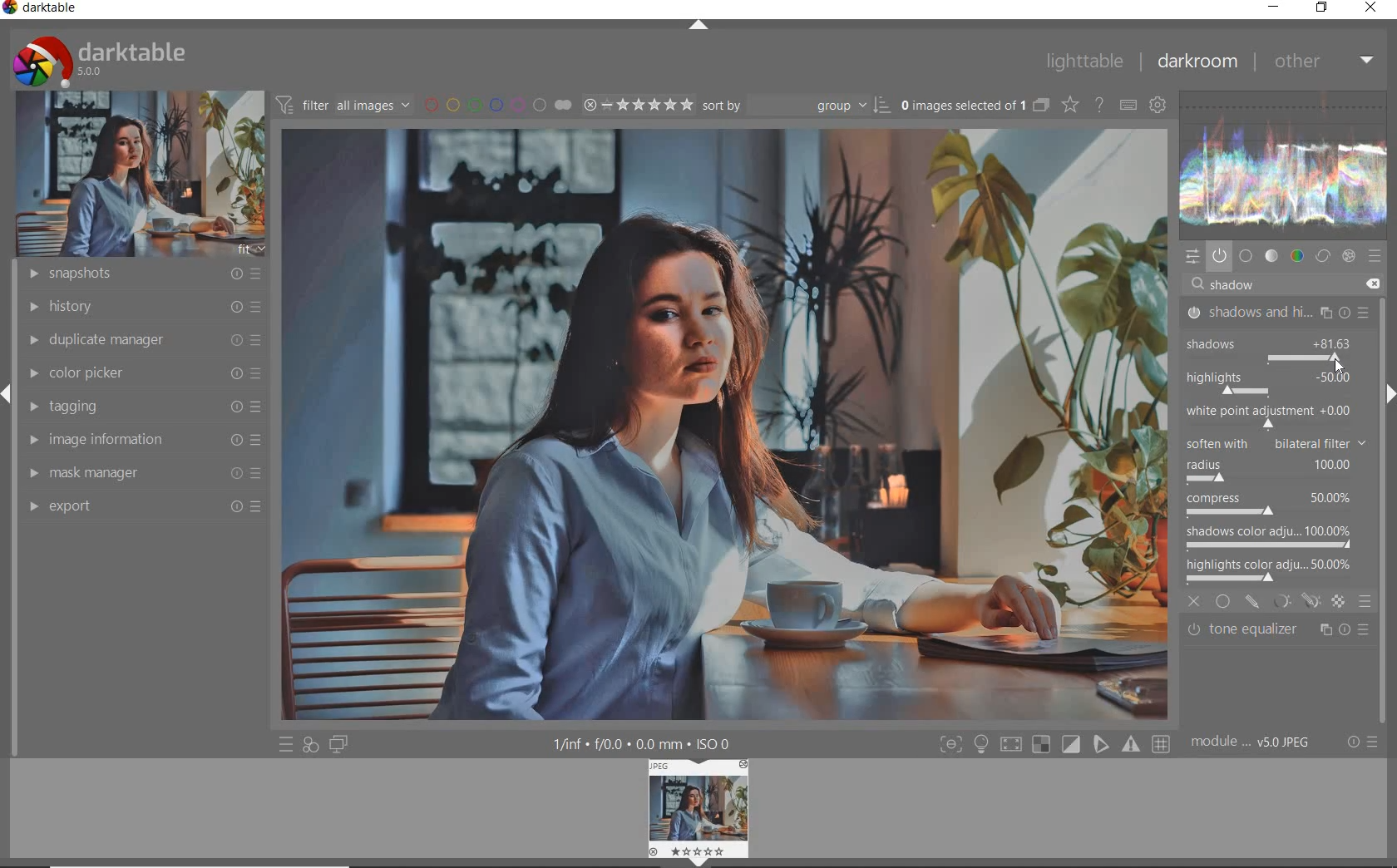 Image resolution: width=1397 pixels, height=868 pixels. What do you see at coordinates (1274, 7) in the screenshot?
I see `minimize` at bounding box center [1274, 7].